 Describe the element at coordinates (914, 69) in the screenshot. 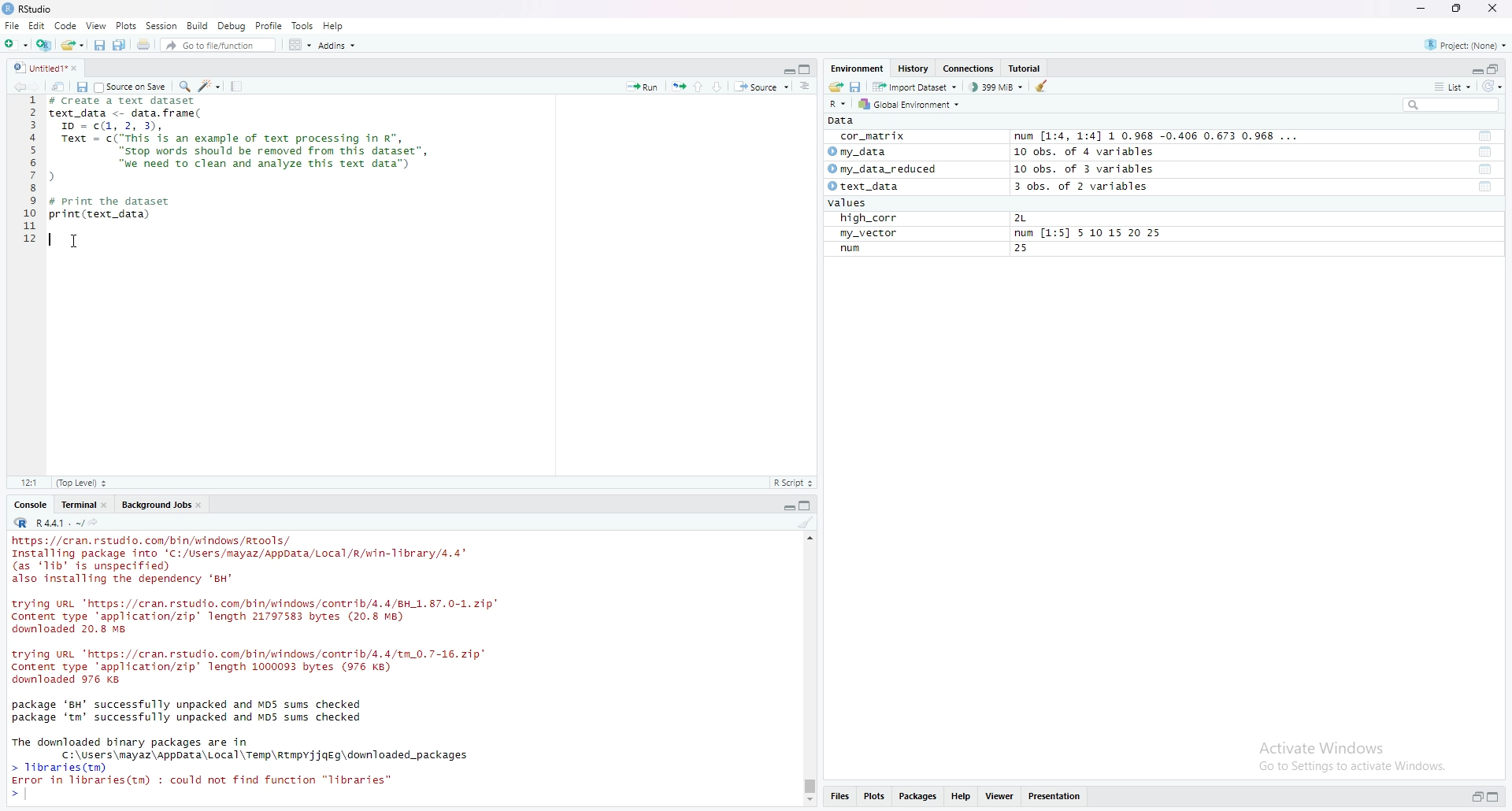

I see `history` at that location.